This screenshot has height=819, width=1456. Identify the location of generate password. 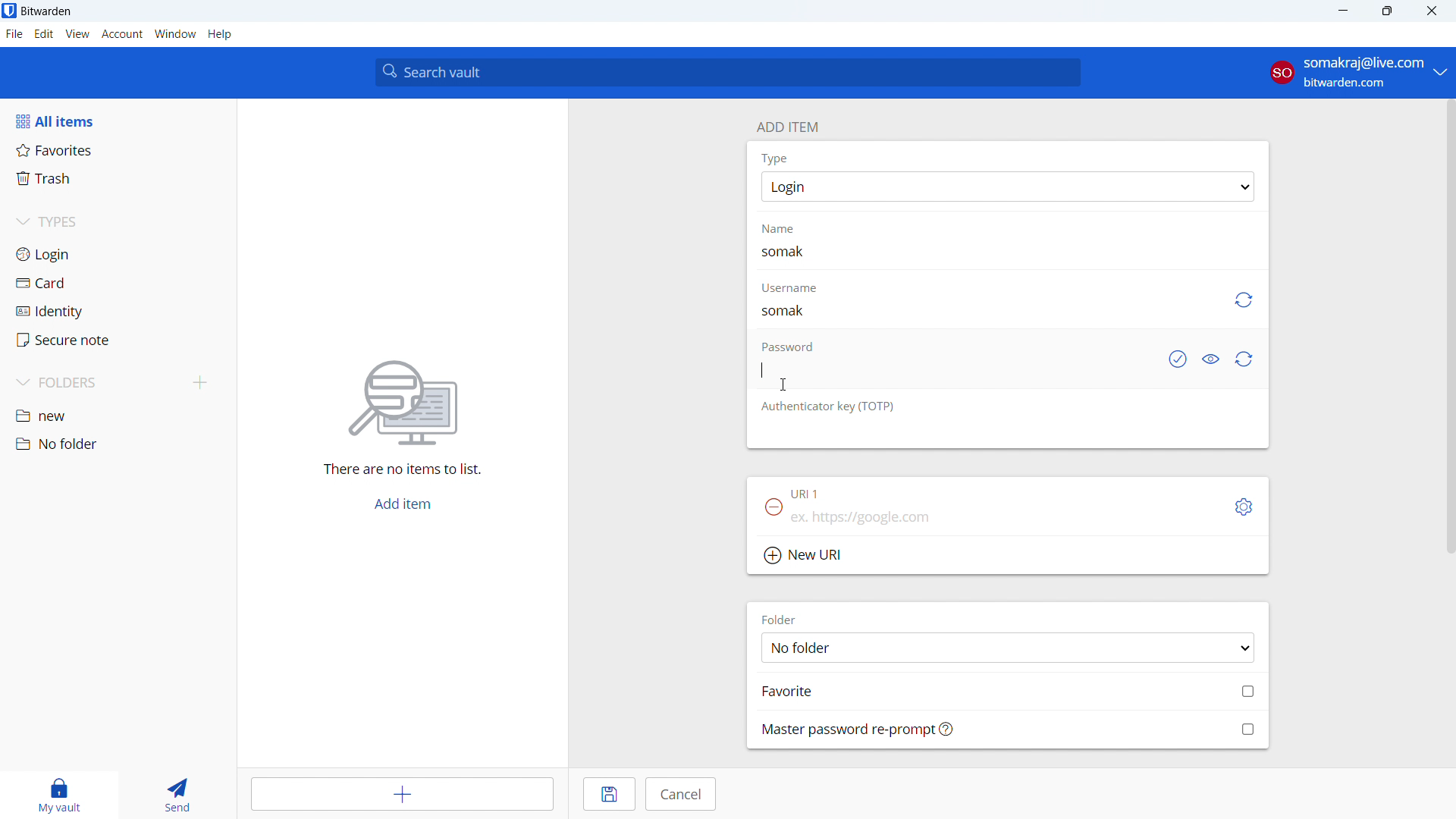
(1245, 359).